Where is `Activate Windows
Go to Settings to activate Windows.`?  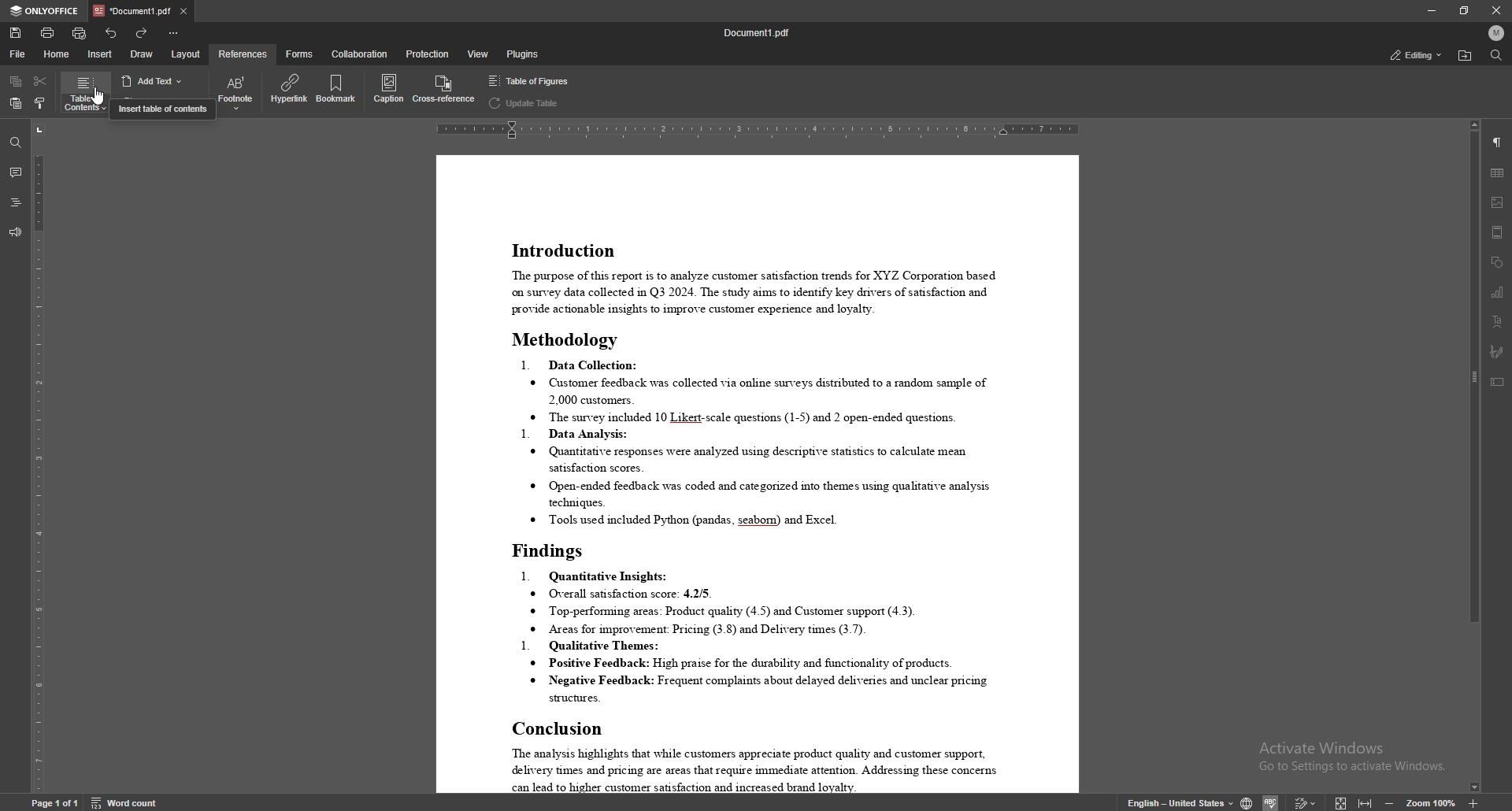 Activate Windows
Go to Settings to activate Windows. is located at coordinates (1350, 757).